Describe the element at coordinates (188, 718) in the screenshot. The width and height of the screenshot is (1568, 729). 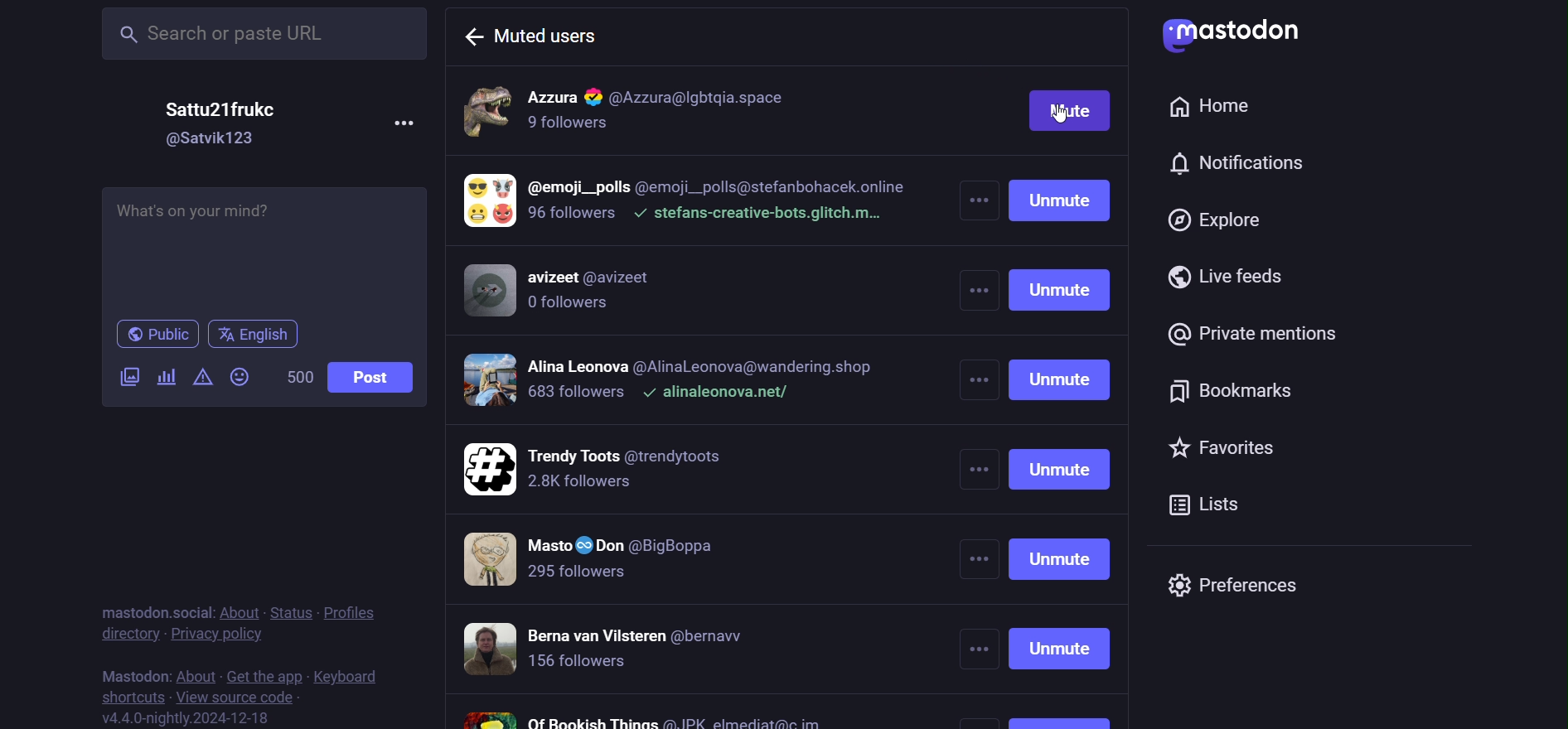
I see `version` at that location.